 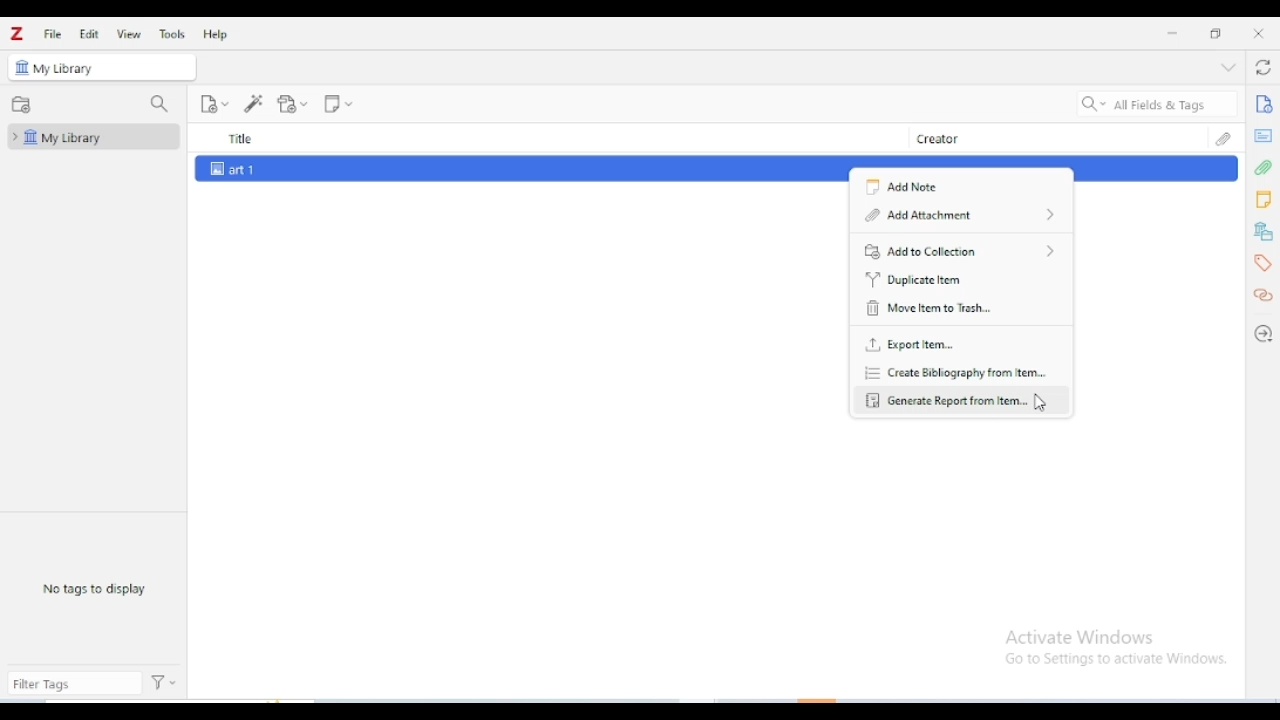 I want to click on attachments, so click(x=1264, y=169).